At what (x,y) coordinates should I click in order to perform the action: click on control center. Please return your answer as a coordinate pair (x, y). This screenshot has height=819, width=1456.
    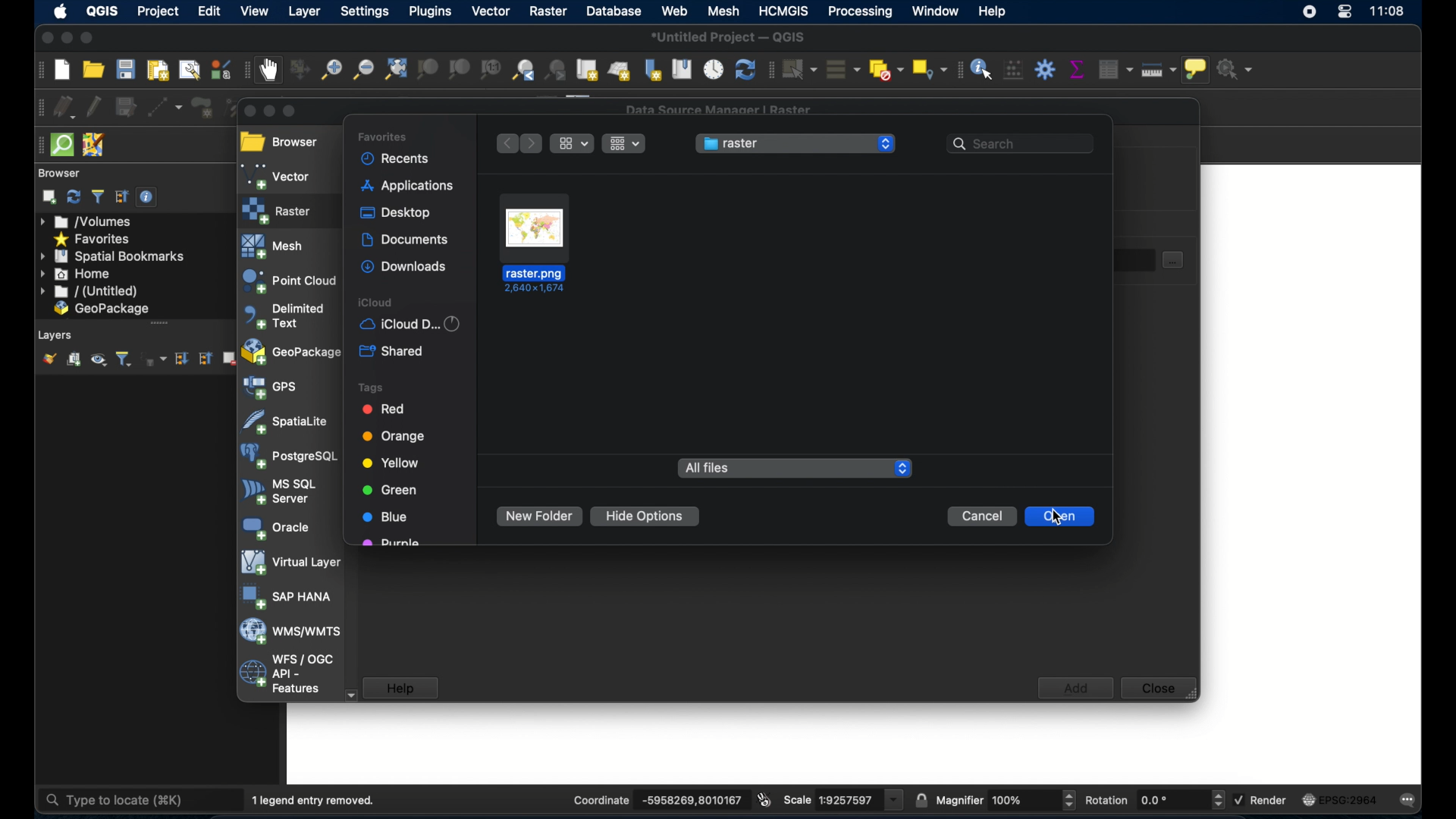
    Looking at the image, I should click on (1345, 15).